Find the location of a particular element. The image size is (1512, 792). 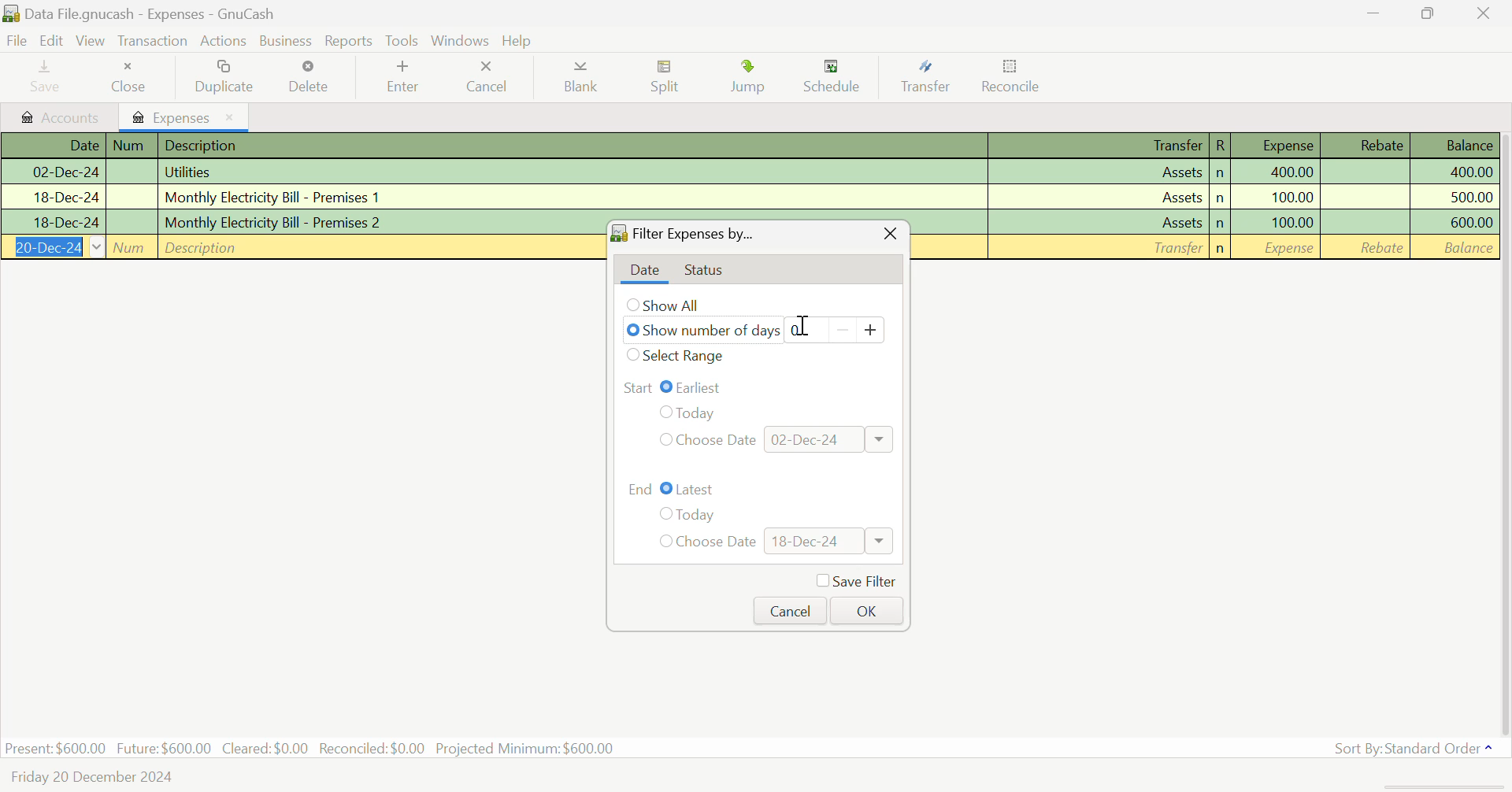

Friday 20 December 2024 is located at coordinates (95, 775).